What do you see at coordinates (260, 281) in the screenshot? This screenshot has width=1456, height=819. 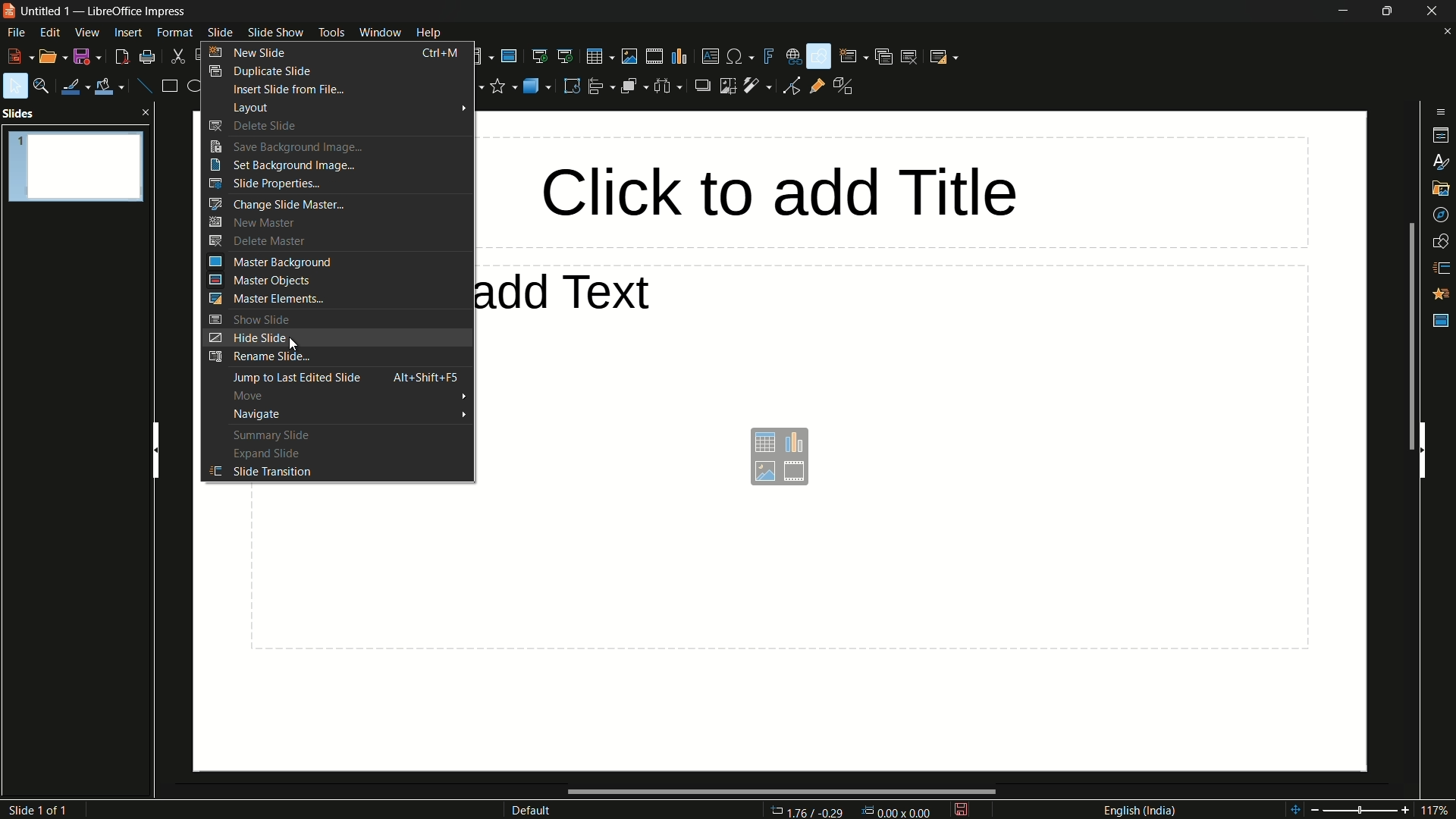 I see `master objects` at bounding box center [260, 281].